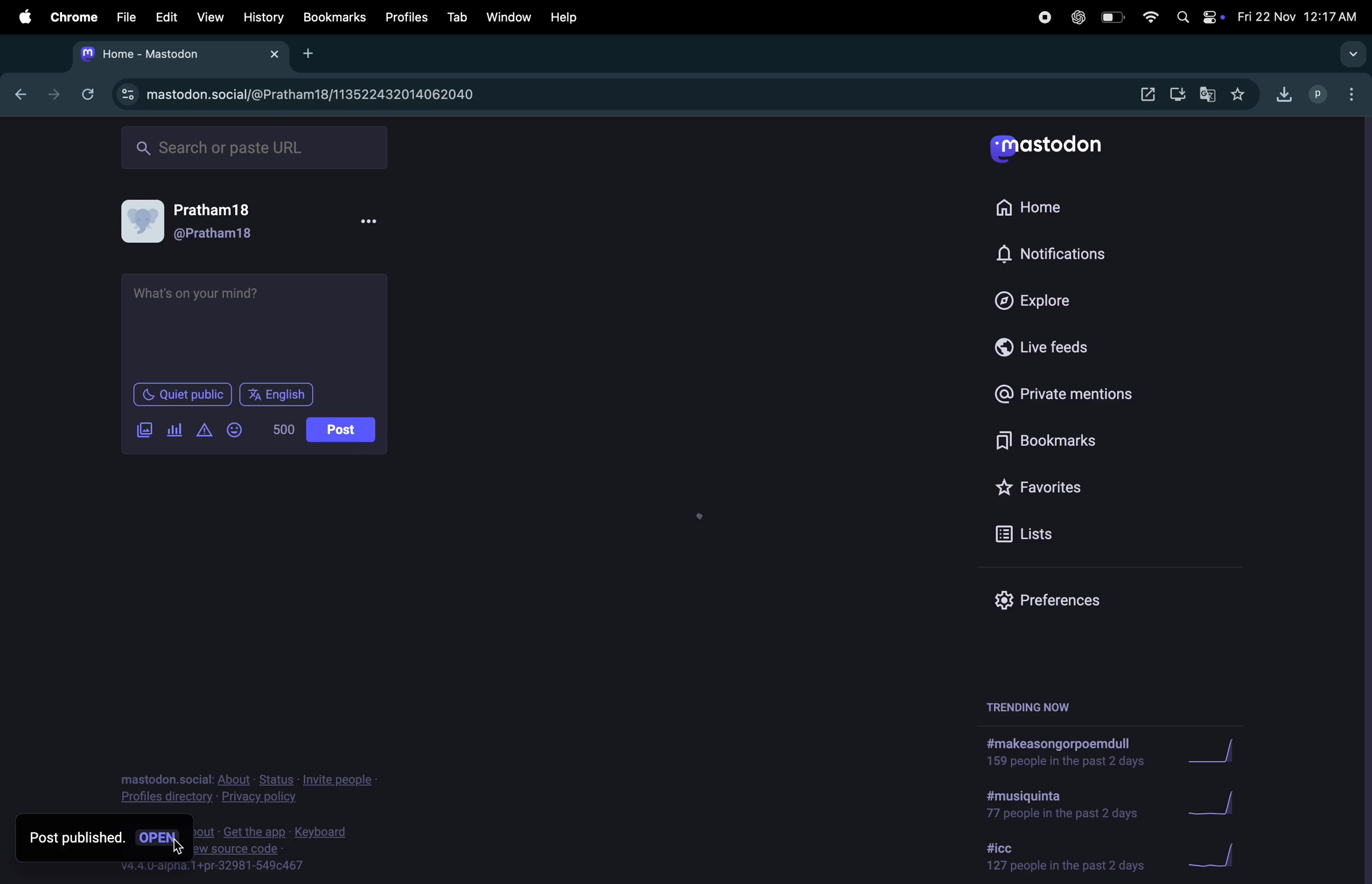 The width and height of the screenshot is (1372, 884). Describe the element at coordinates (1031, 709) in the screenshot. I see `trending now` at that location.